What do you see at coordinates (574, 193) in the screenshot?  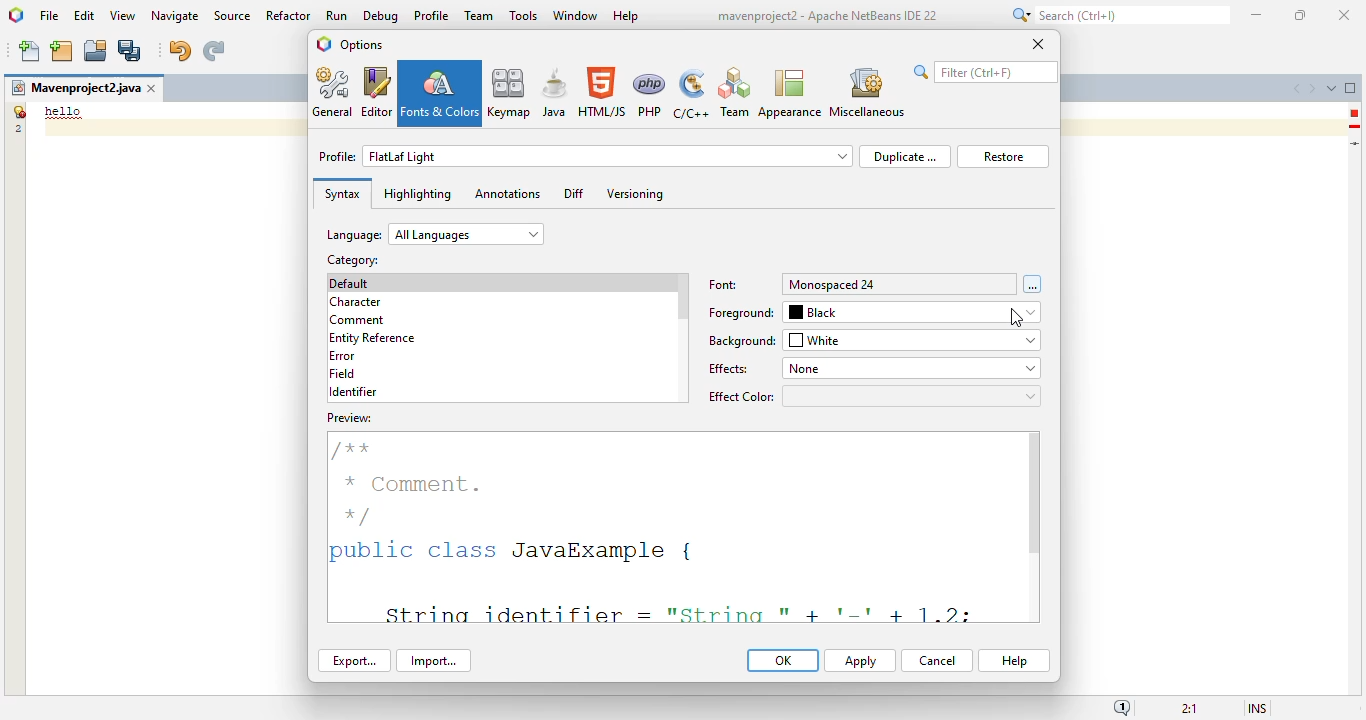 I see `diff` at bounding box center [574, 193].